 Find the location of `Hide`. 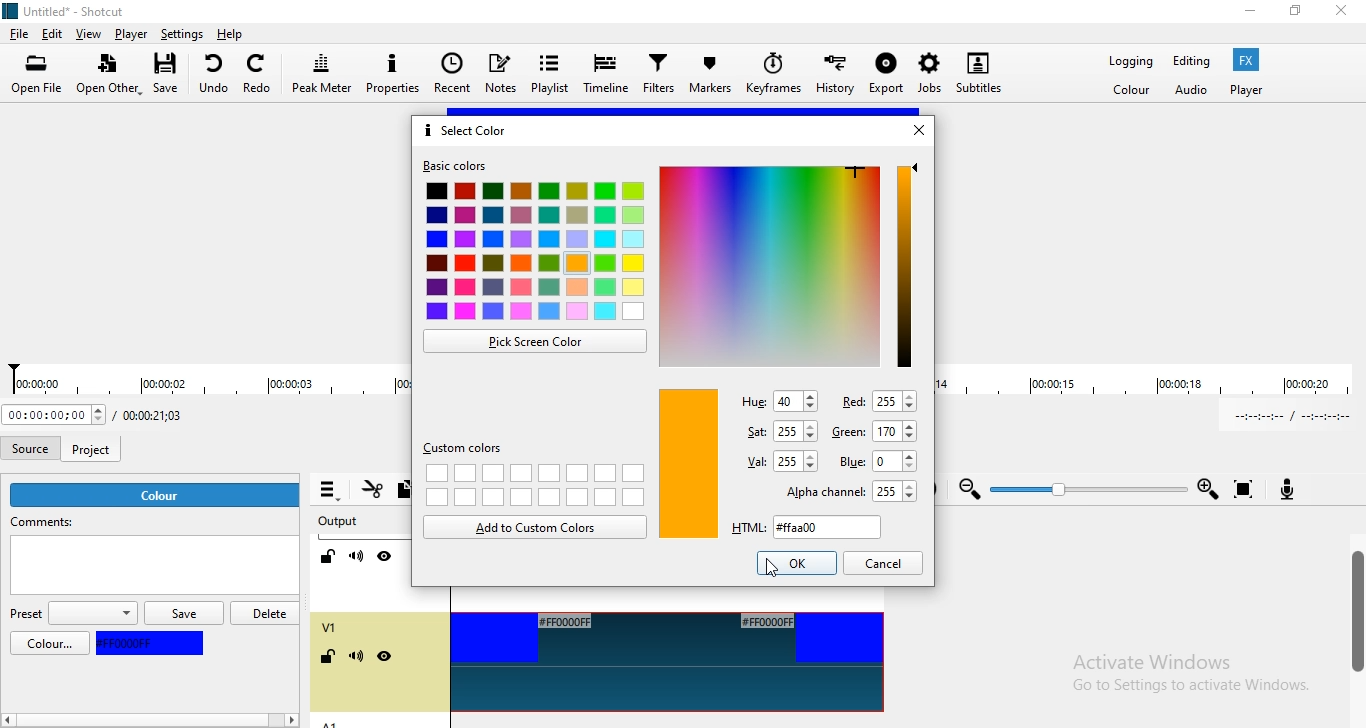

Hide is located at coordinates (384, 556).